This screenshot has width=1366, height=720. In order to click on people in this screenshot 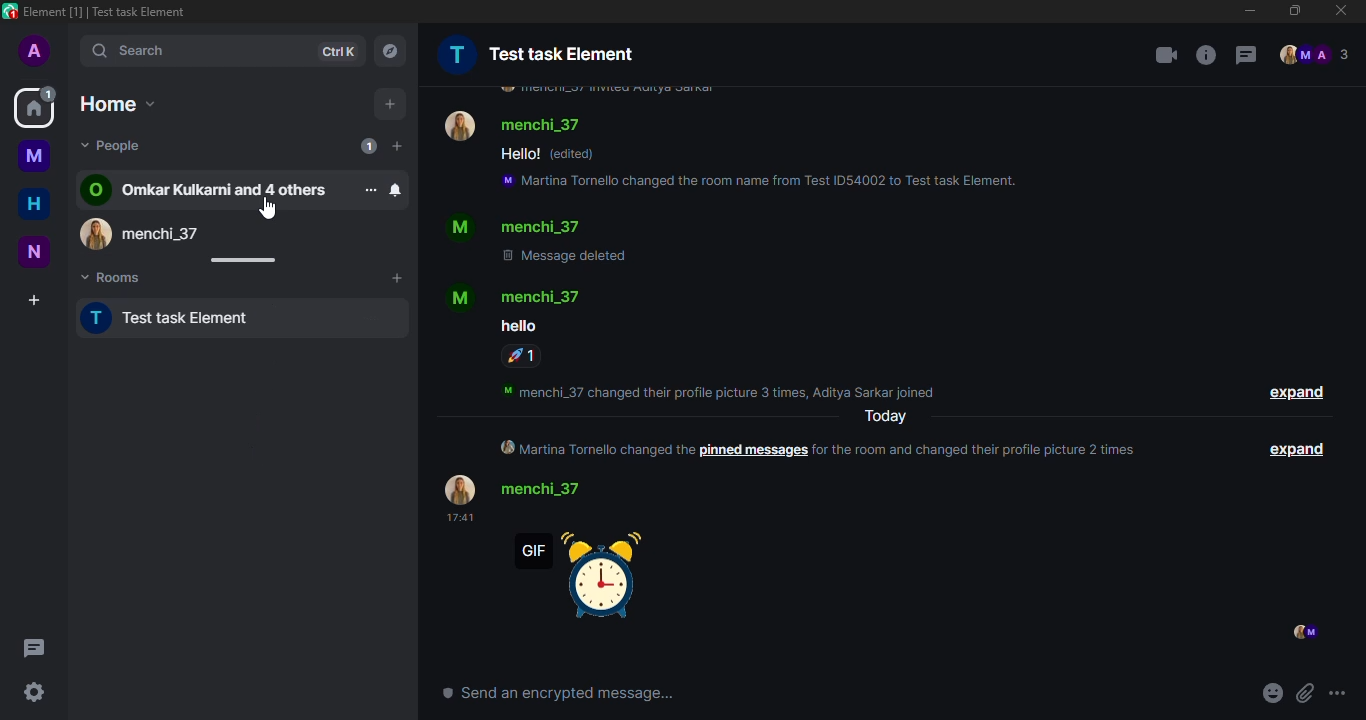, I will do `click(1316, 54)`.